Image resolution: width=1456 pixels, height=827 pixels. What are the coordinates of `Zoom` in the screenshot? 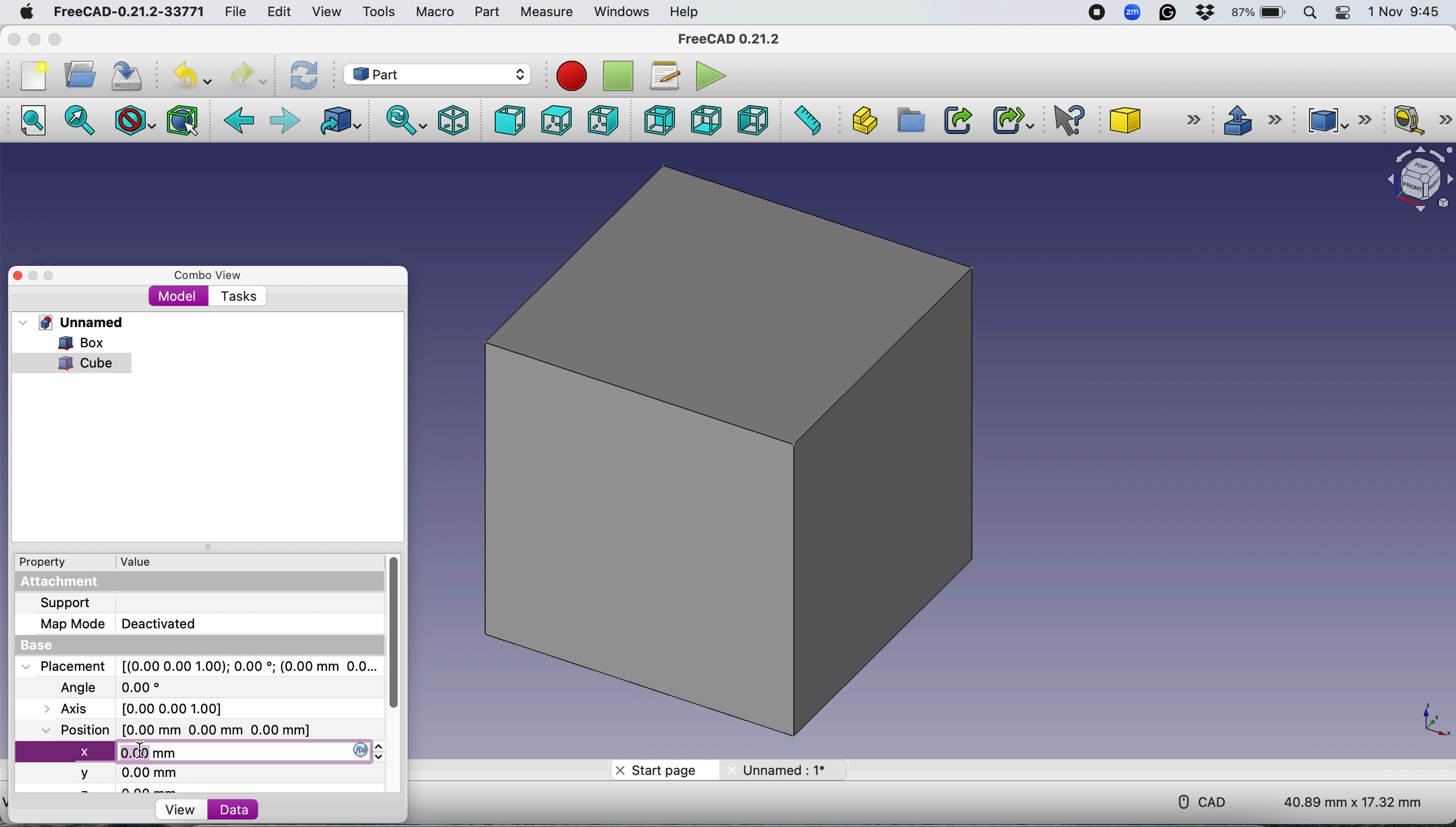 It's located at (1133, 14).